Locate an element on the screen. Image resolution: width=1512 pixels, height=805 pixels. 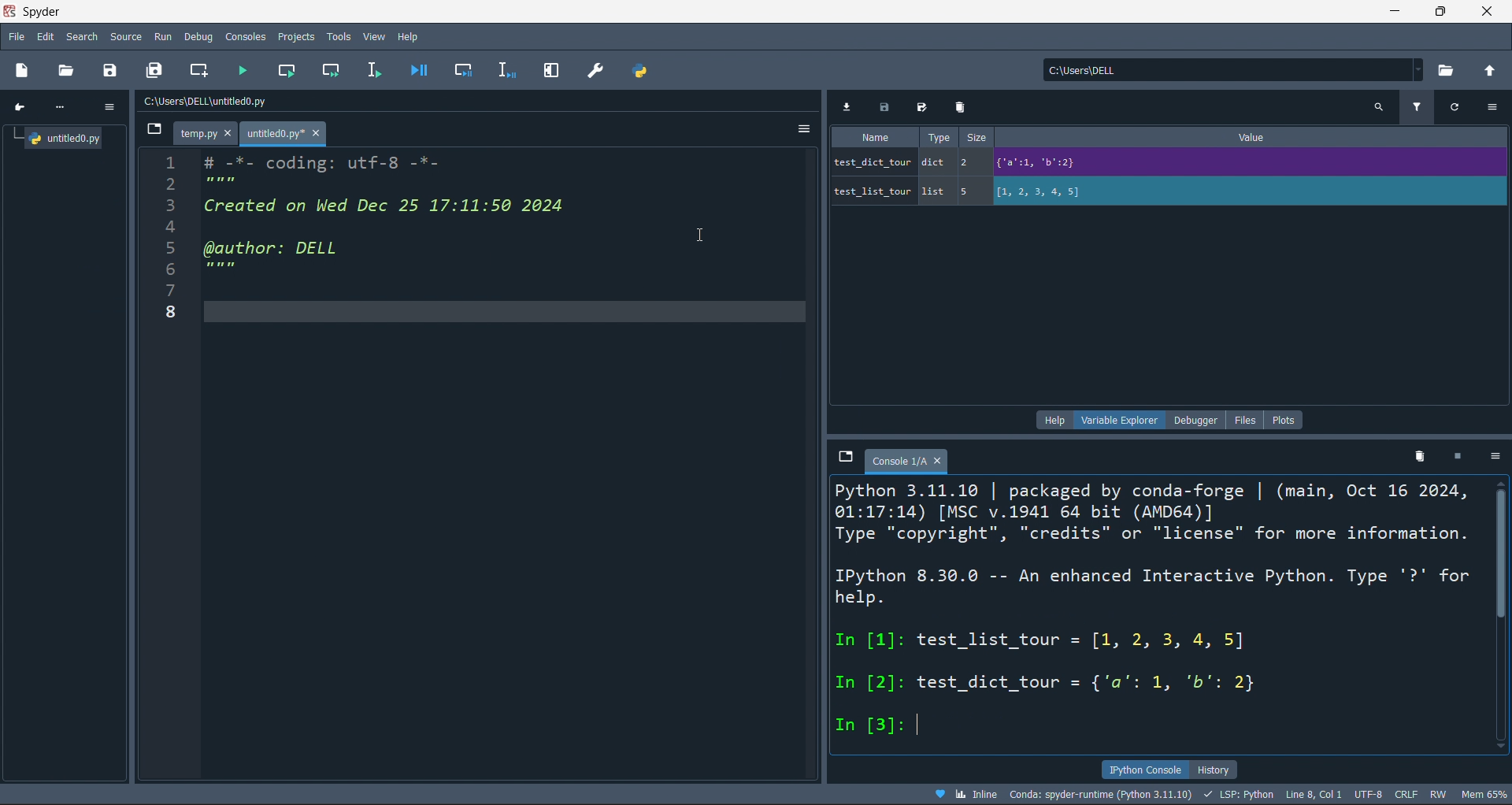
refresh is located at coordinates (1457, 108).